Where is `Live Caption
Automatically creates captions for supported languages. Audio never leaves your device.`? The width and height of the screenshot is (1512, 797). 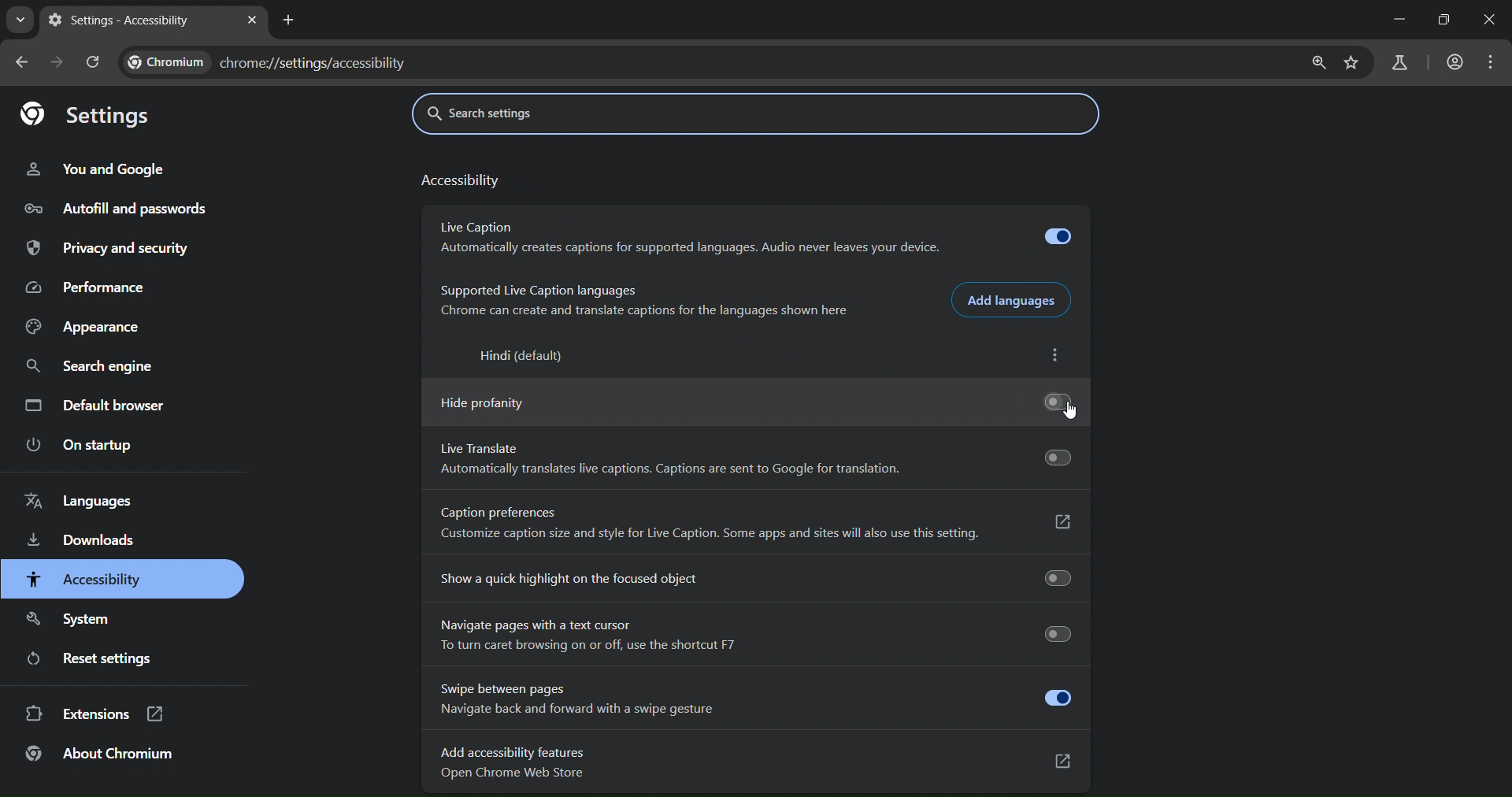 Live Caption
Automatically creates captions for supported languages. Audio never leaves your device. is located at coordinates (758, 239).